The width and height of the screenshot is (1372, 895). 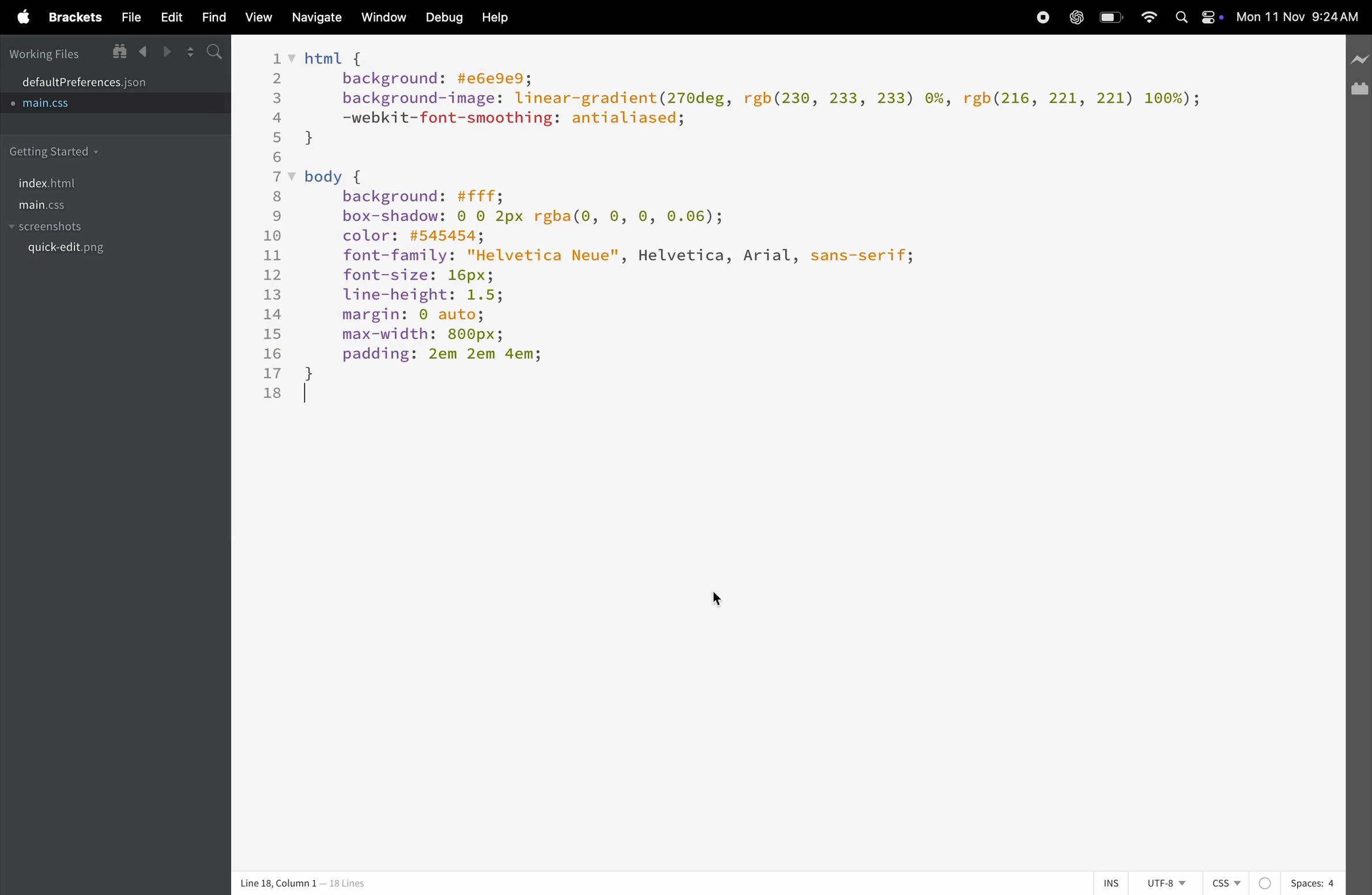 I want to click on line numbers, so click(x=268, y=223).